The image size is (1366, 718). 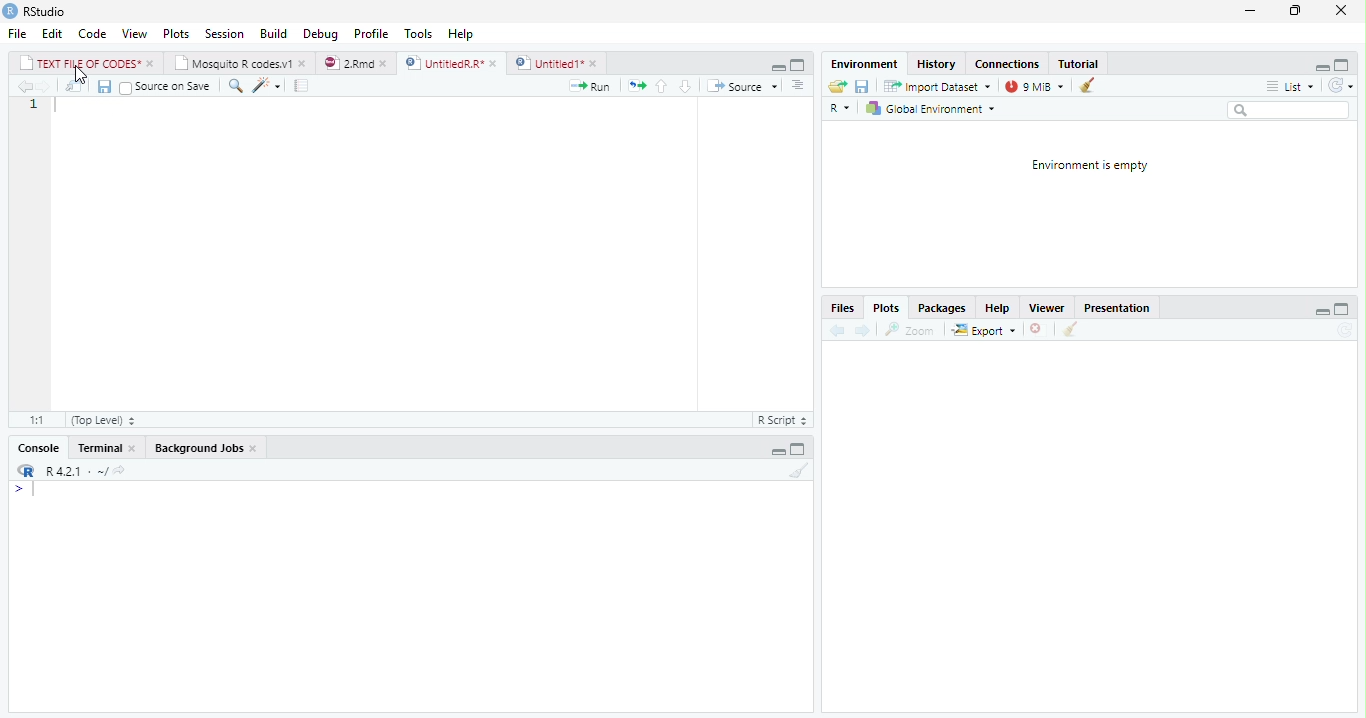 I want to click on load workspace, so click(x=836, y=86).